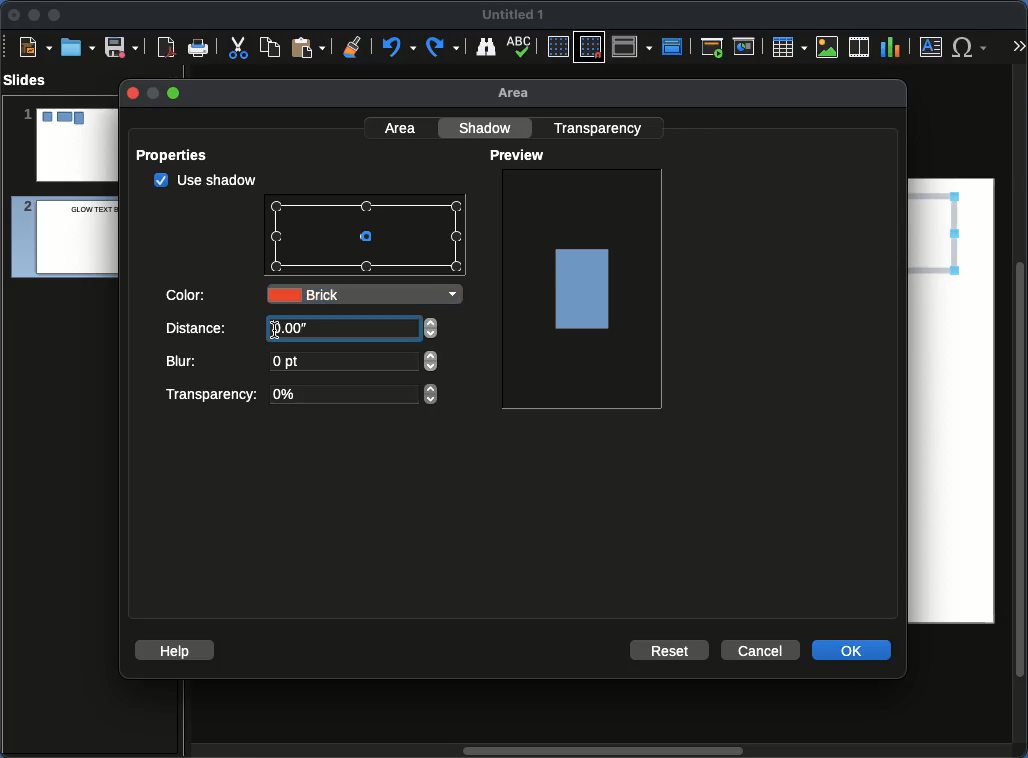  Describe the element at coordinates (521, 48) in the screenshot. I see `Spell check` at that location.